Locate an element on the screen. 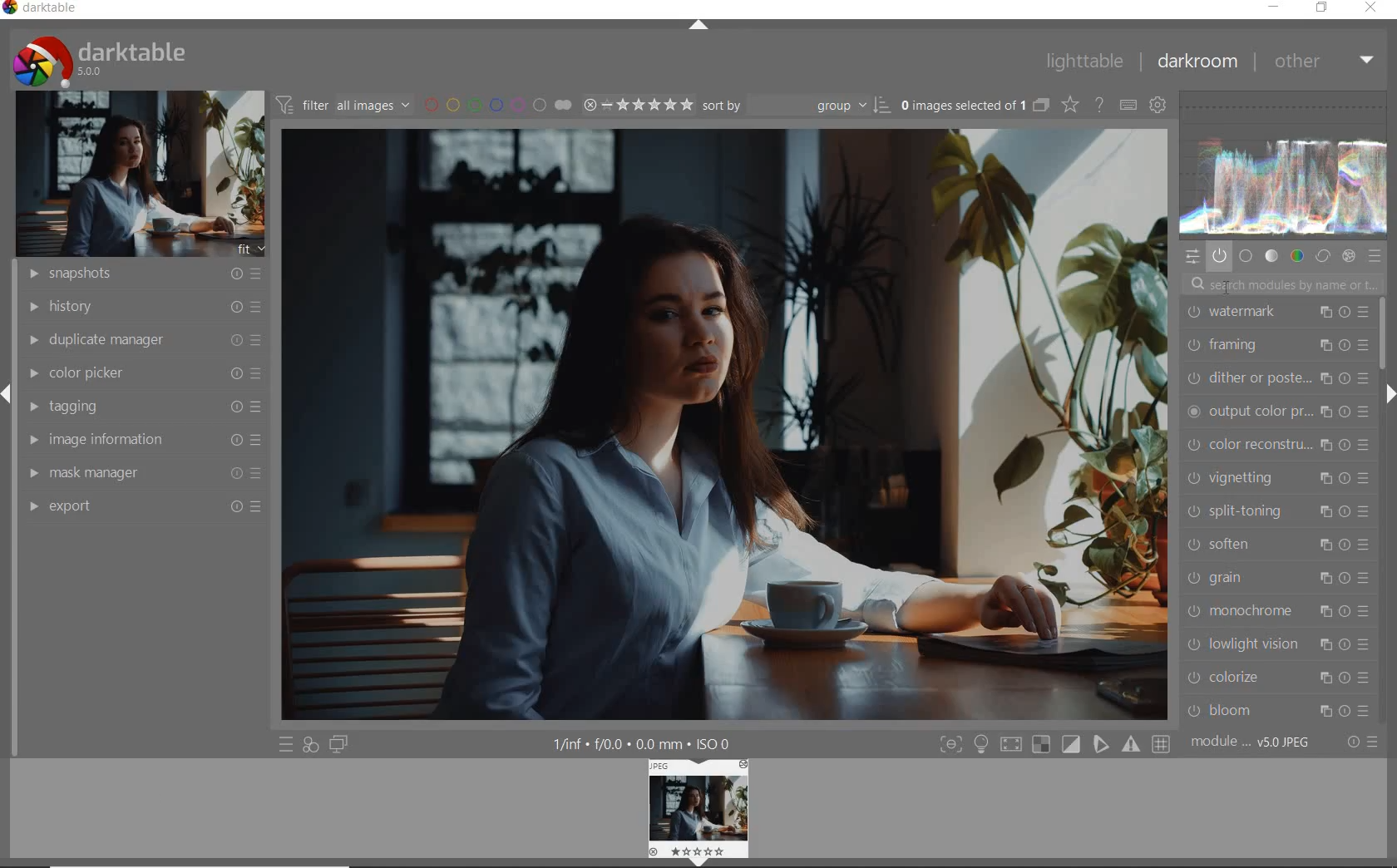 Image resolution: width=1397 pixels, height=868 pixels. output color preset is located at coordinates (1279, 412).